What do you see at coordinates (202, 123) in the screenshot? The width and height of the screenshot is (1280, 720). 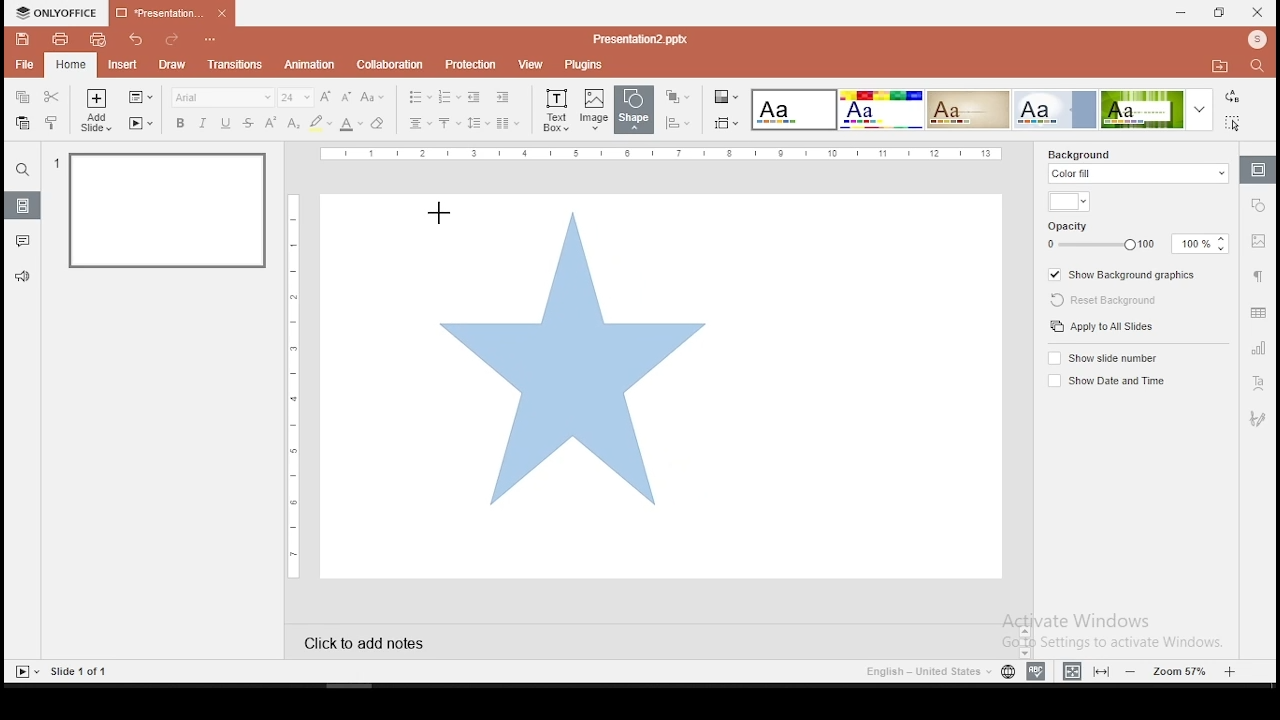 I see `italics` at bounding box center [202, 123].